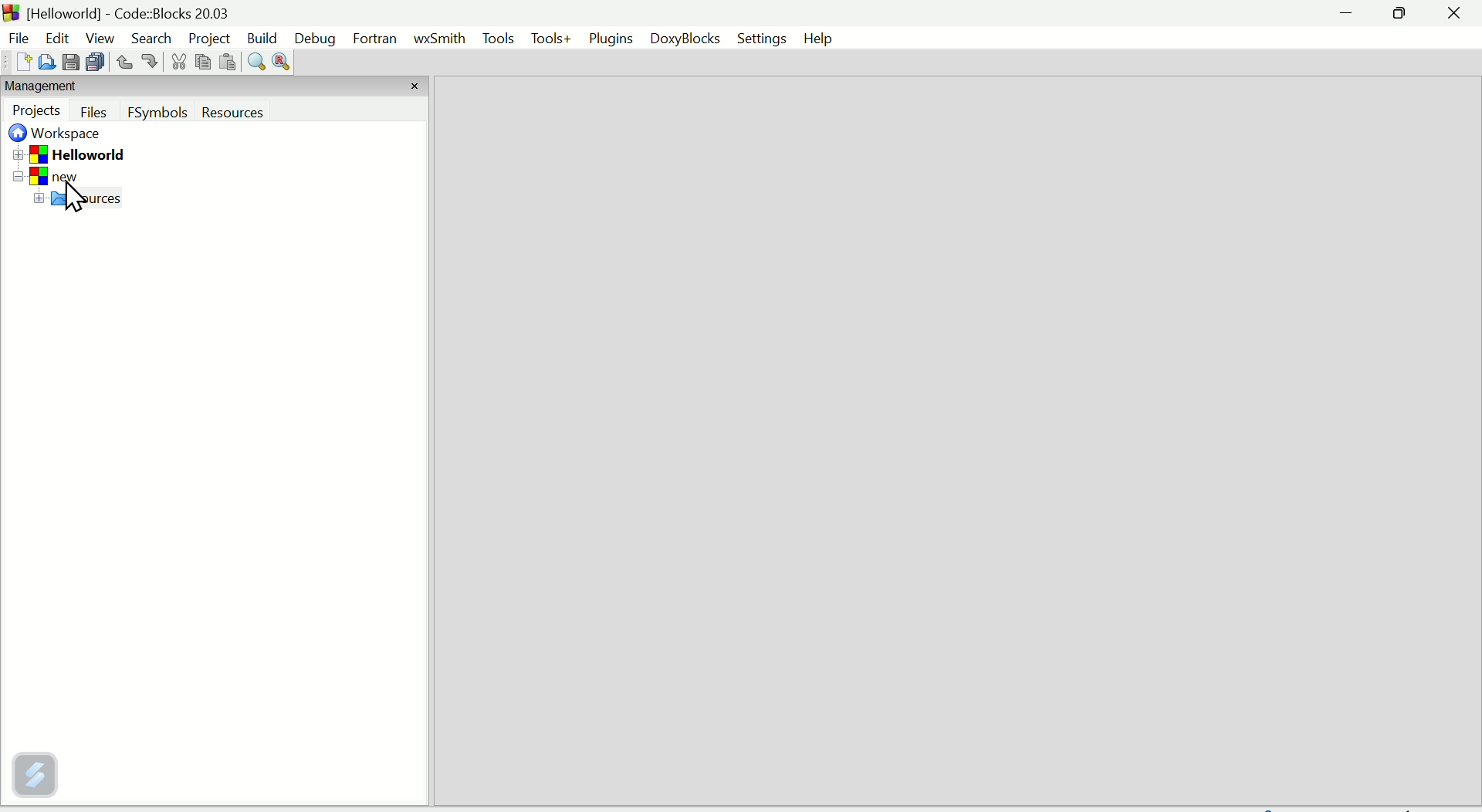  What do you see at coordinates (259, 113) in the screenshot?
I see `Resources` at bounding box center [259, 113].